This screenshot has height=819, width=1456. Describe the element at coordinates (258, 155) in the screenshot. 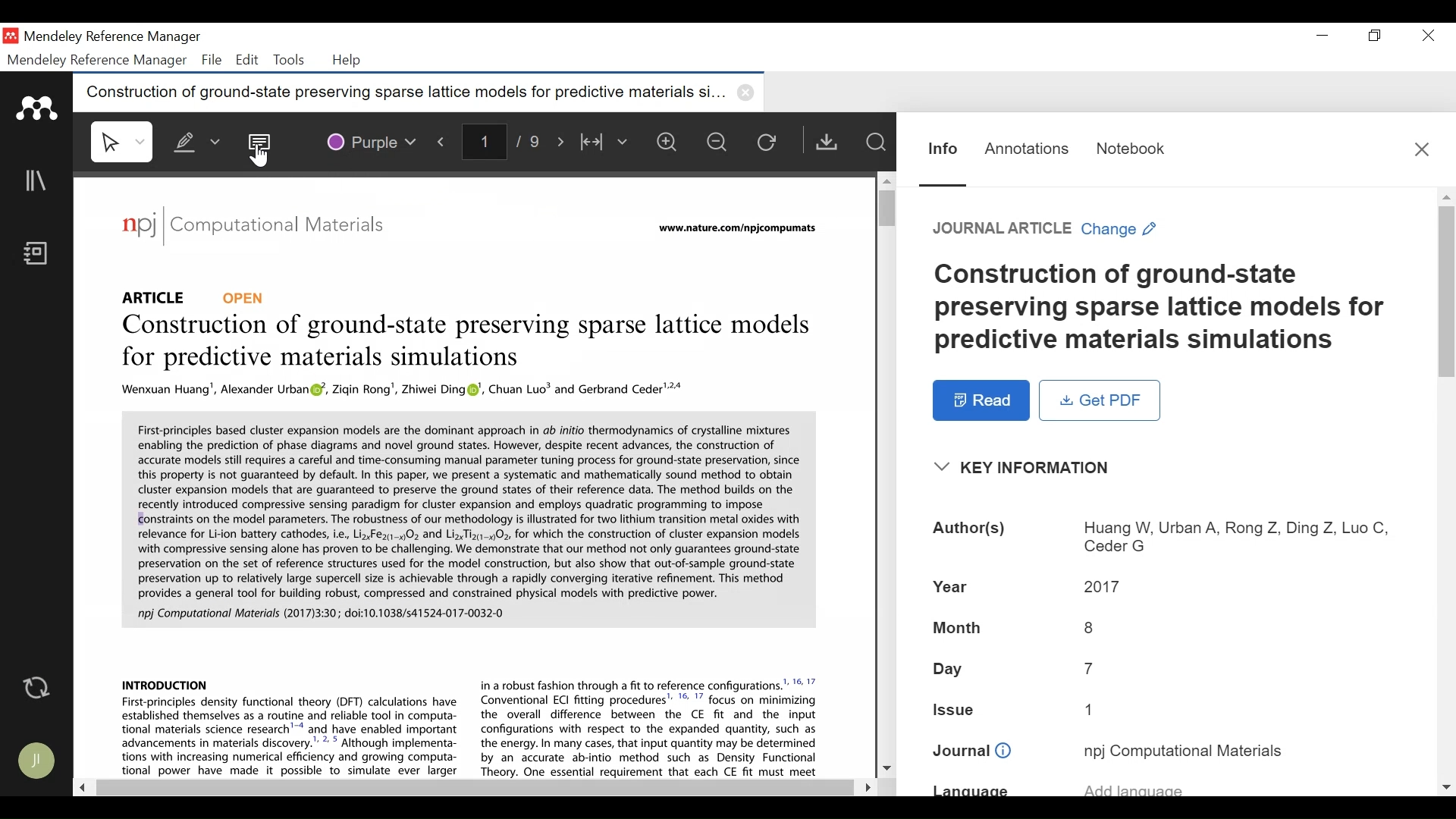

I see `Cursor` at that location.